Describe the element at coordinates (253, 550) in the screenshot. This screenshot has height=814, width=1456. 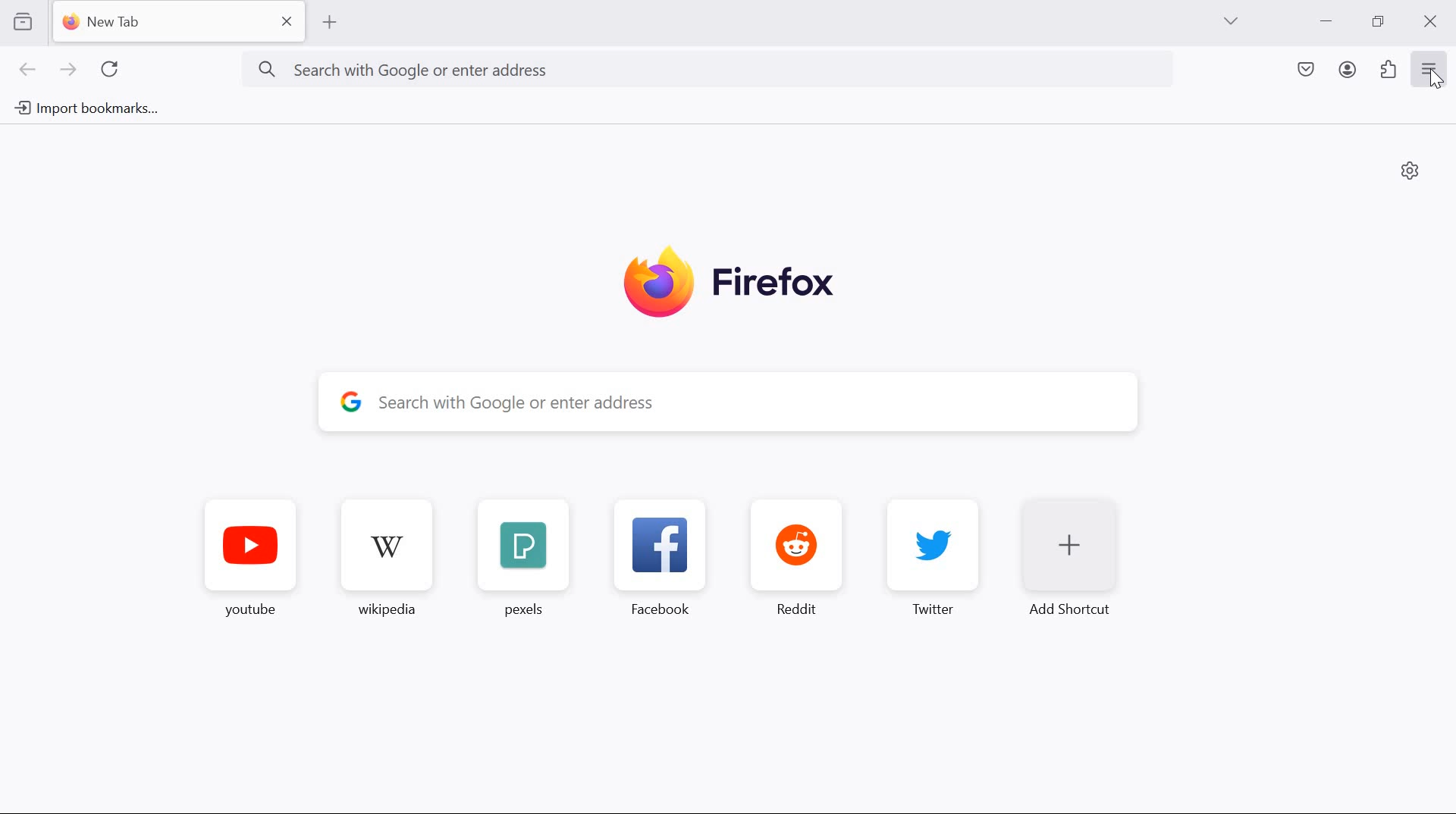
I see `youtube` at that location.